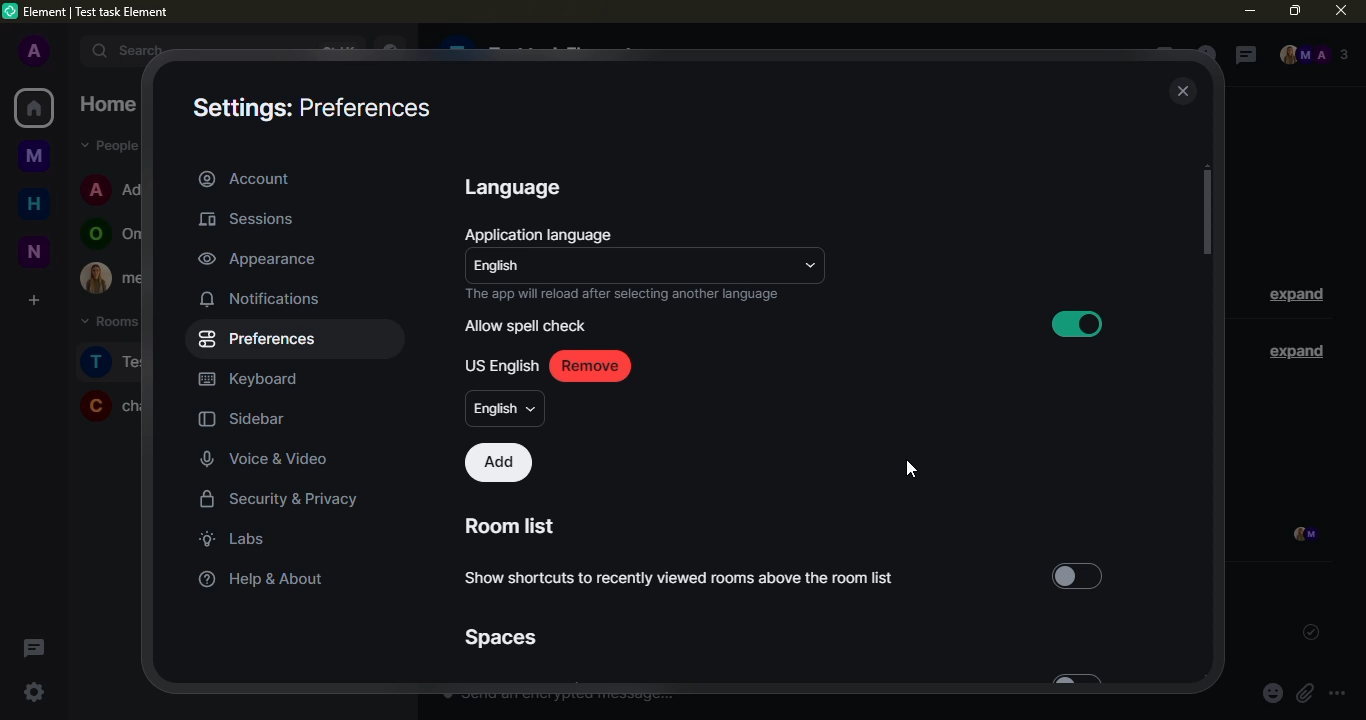 Image resolution: width=1366 pixels, height=720 pixels. Describe the element at coordinates (34, 108) in the screenshot. I see `home` at that location.